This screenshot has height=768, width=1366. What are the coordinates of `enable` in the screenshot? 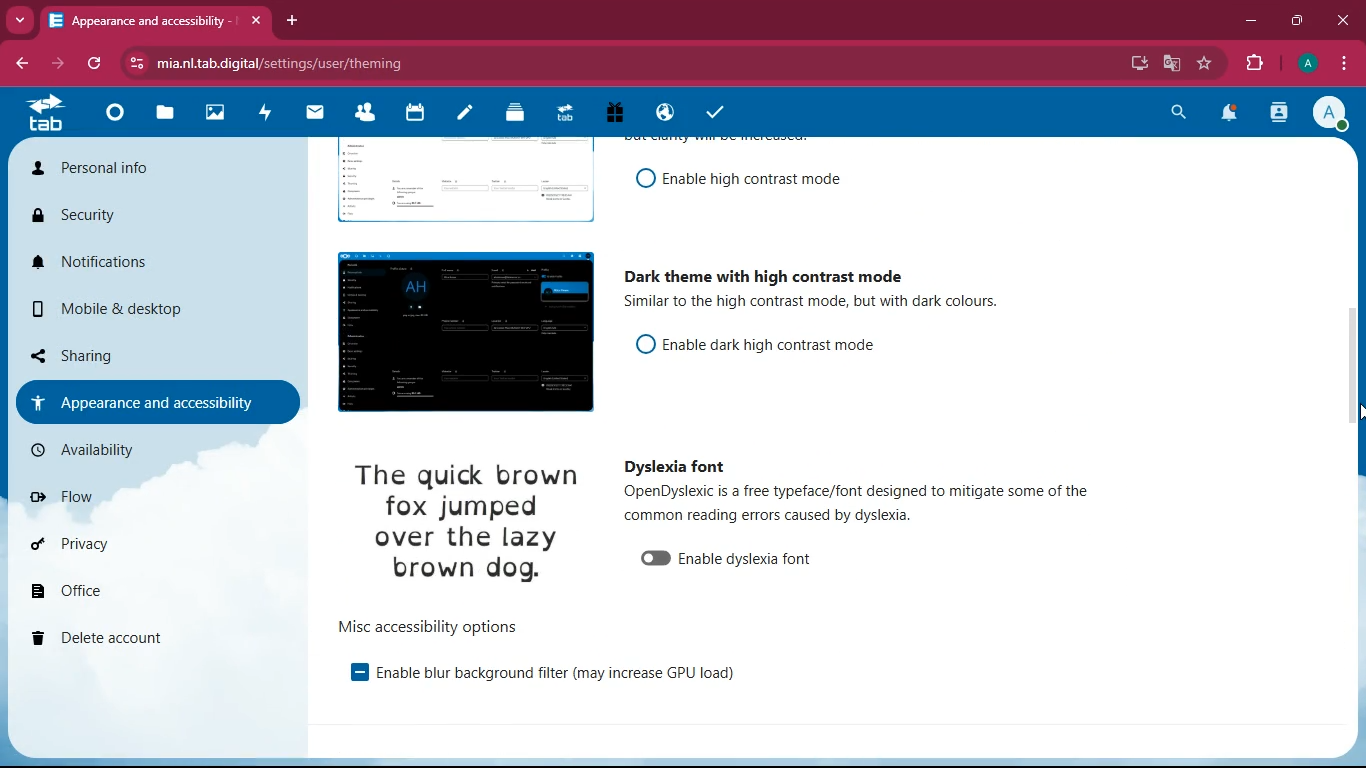 It's located at (751, 179).